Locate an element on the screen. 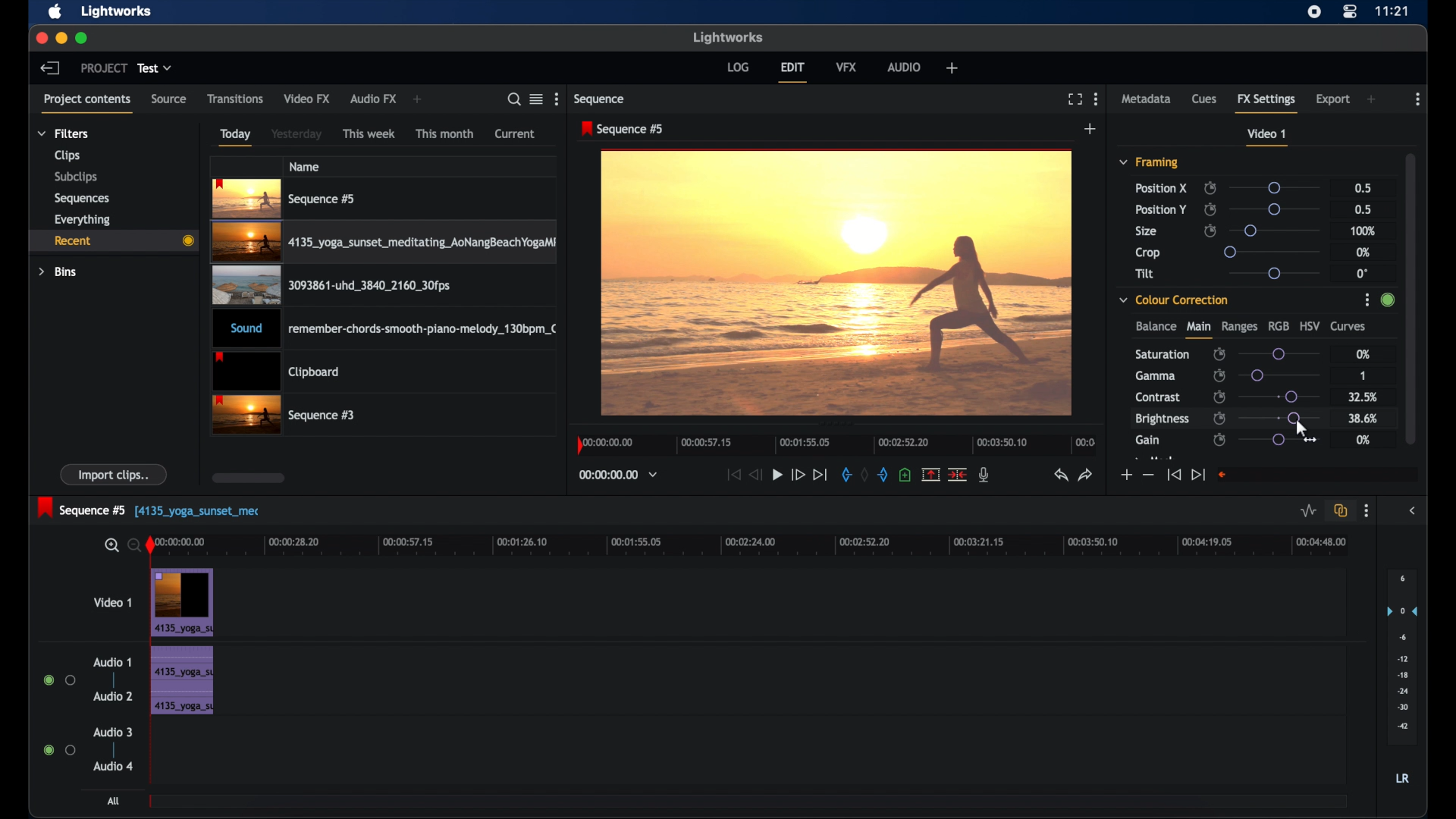 The width and height of the screenshot is (1456, 819). videoclip is located at coordinates (285, 199).